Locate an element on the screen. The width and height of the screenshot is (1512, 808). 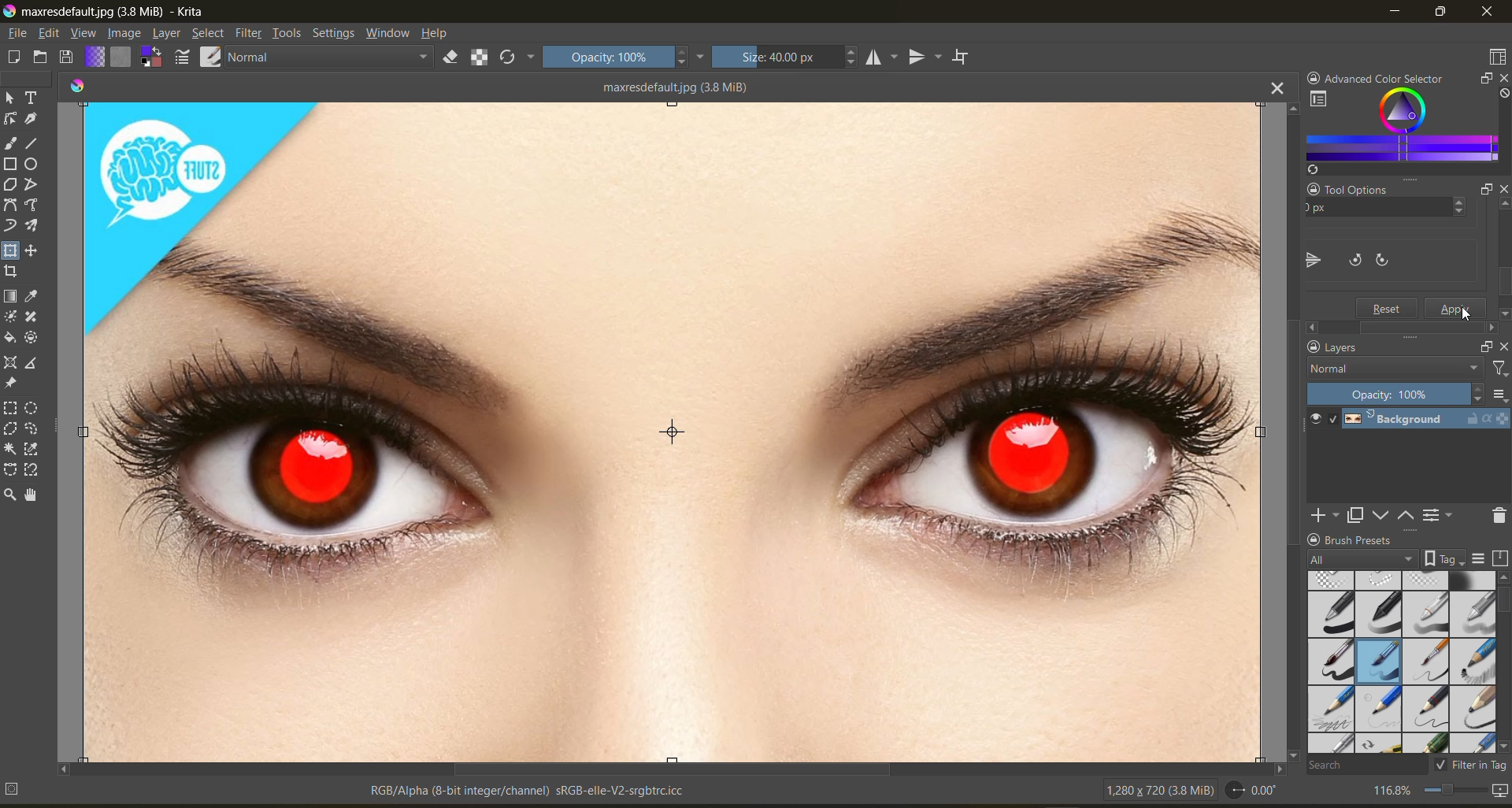
mask up is located at coordinates (1404, 514).